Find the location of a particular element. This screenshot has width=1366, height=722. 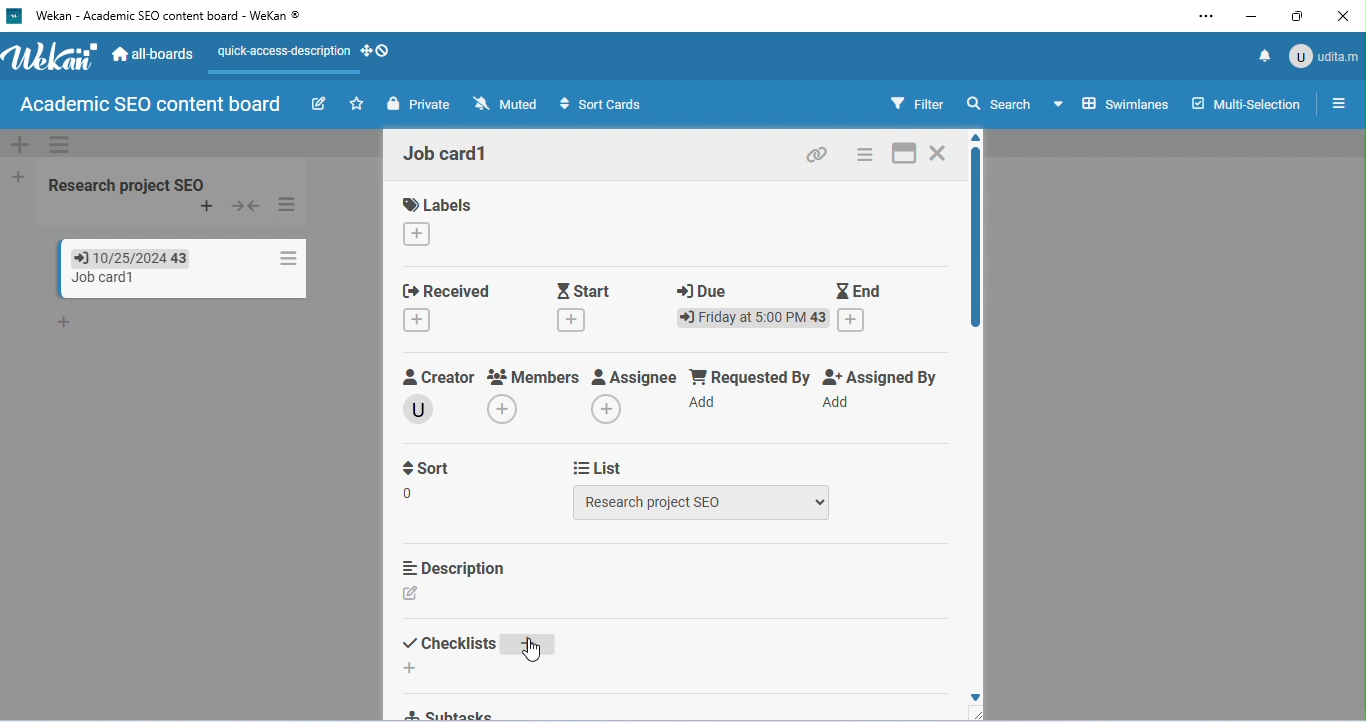

add requester is located at coordinates (706, 403).